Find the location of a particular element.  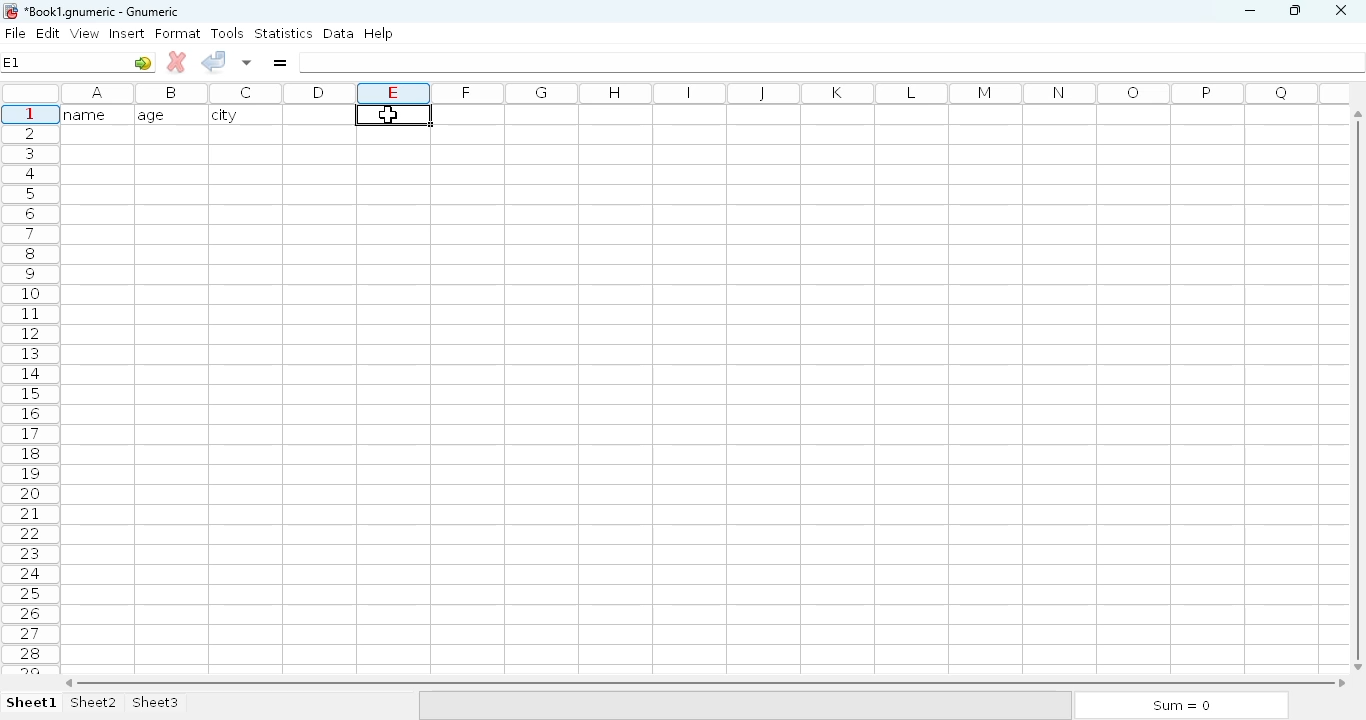

data is located at coordinates (339, 33).